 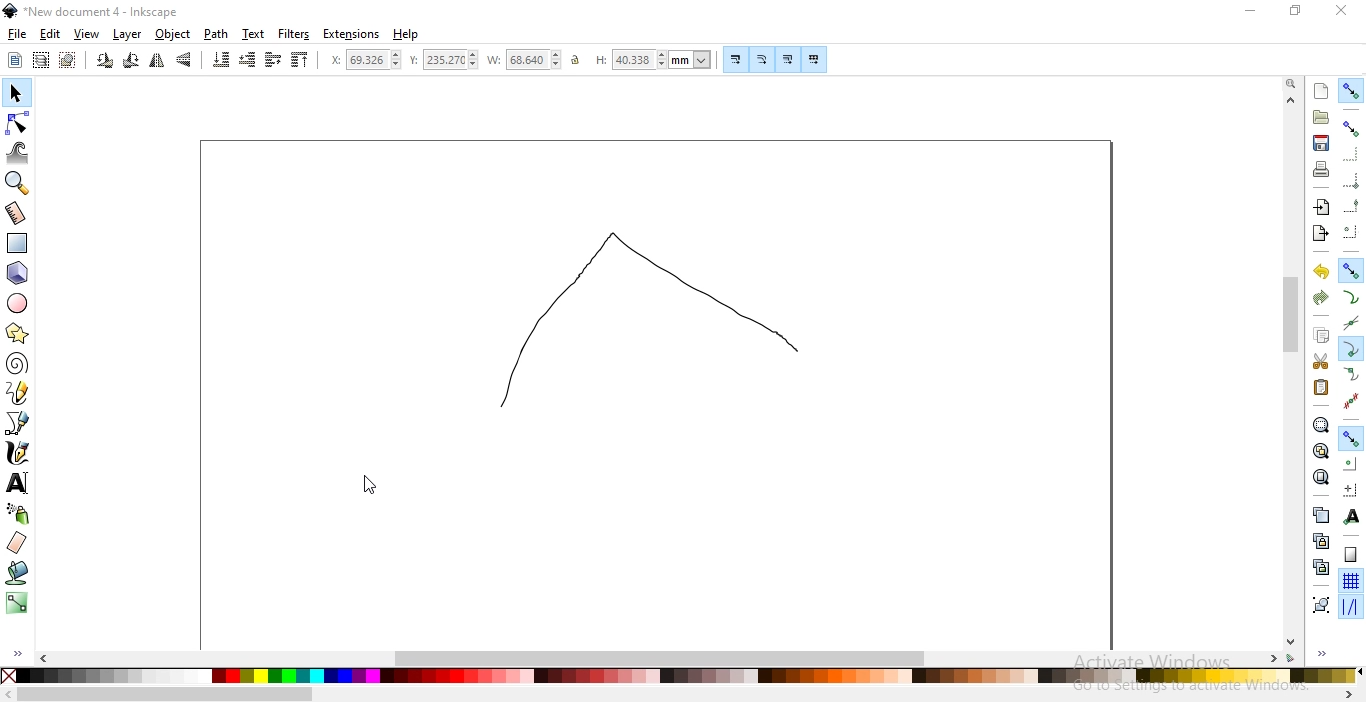 I want to click on draw calligraphic or brush strokes, so click(x=19, y=453).